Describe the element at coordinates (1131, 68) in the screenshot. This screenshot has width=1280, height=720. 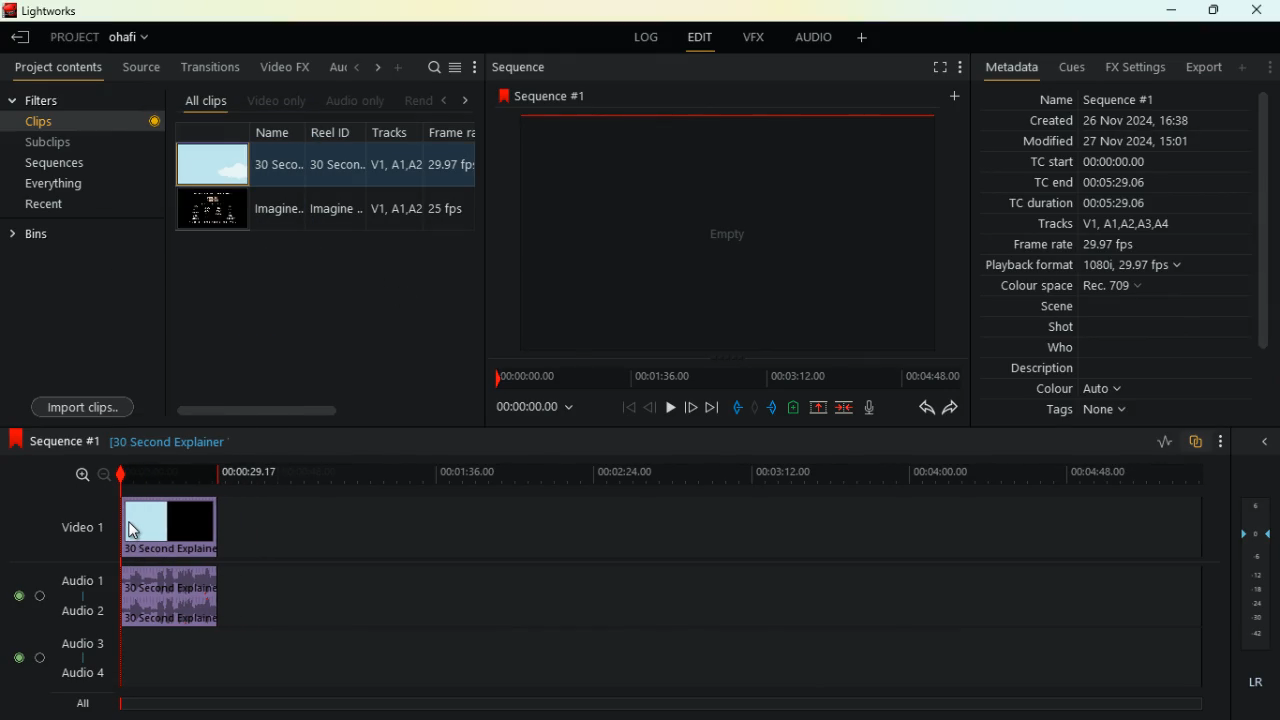
I see `fx settings` at that location.